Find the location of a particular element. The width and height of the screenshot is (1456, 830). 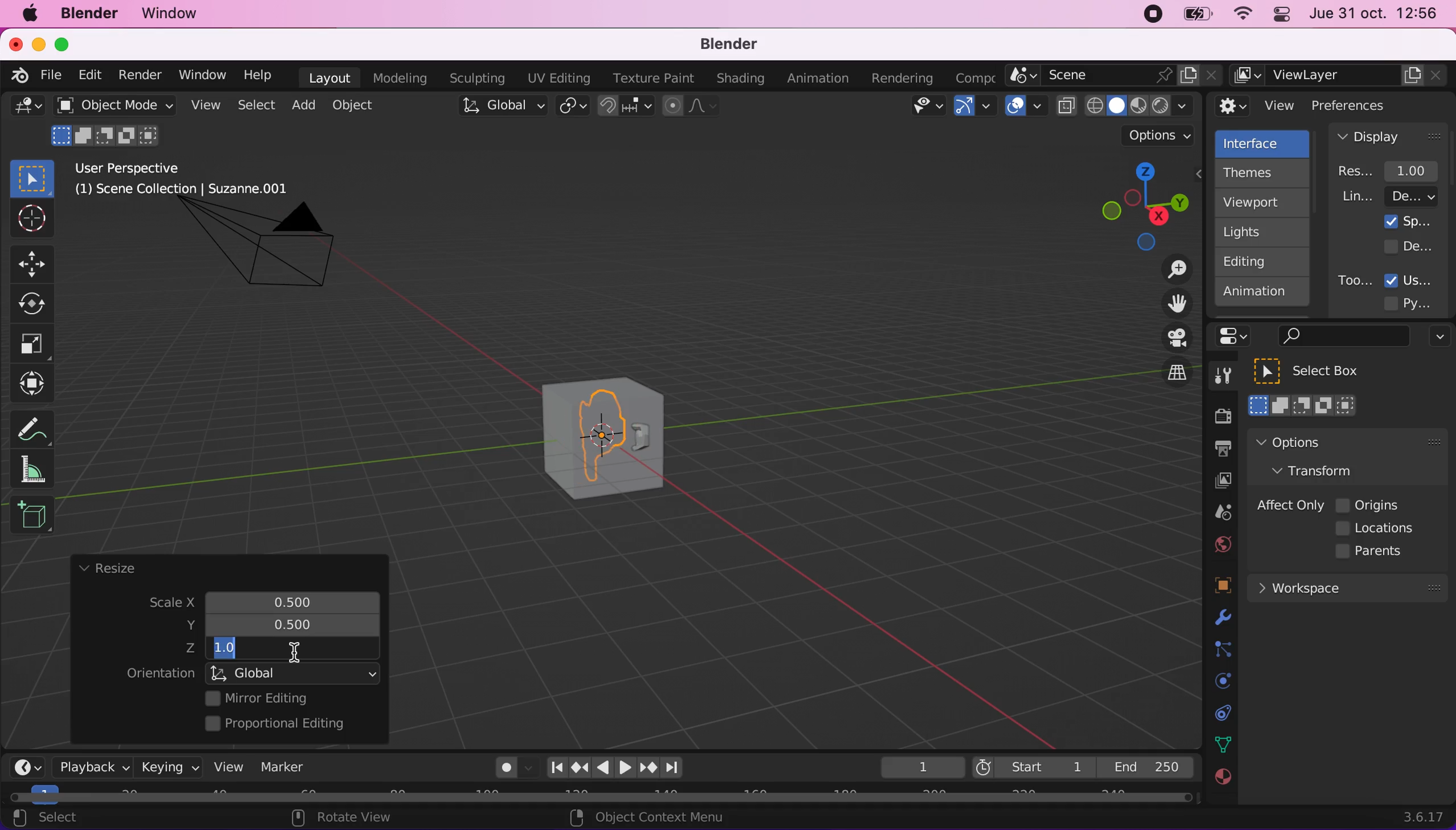

viewport is located at coordinates (1265, 202).